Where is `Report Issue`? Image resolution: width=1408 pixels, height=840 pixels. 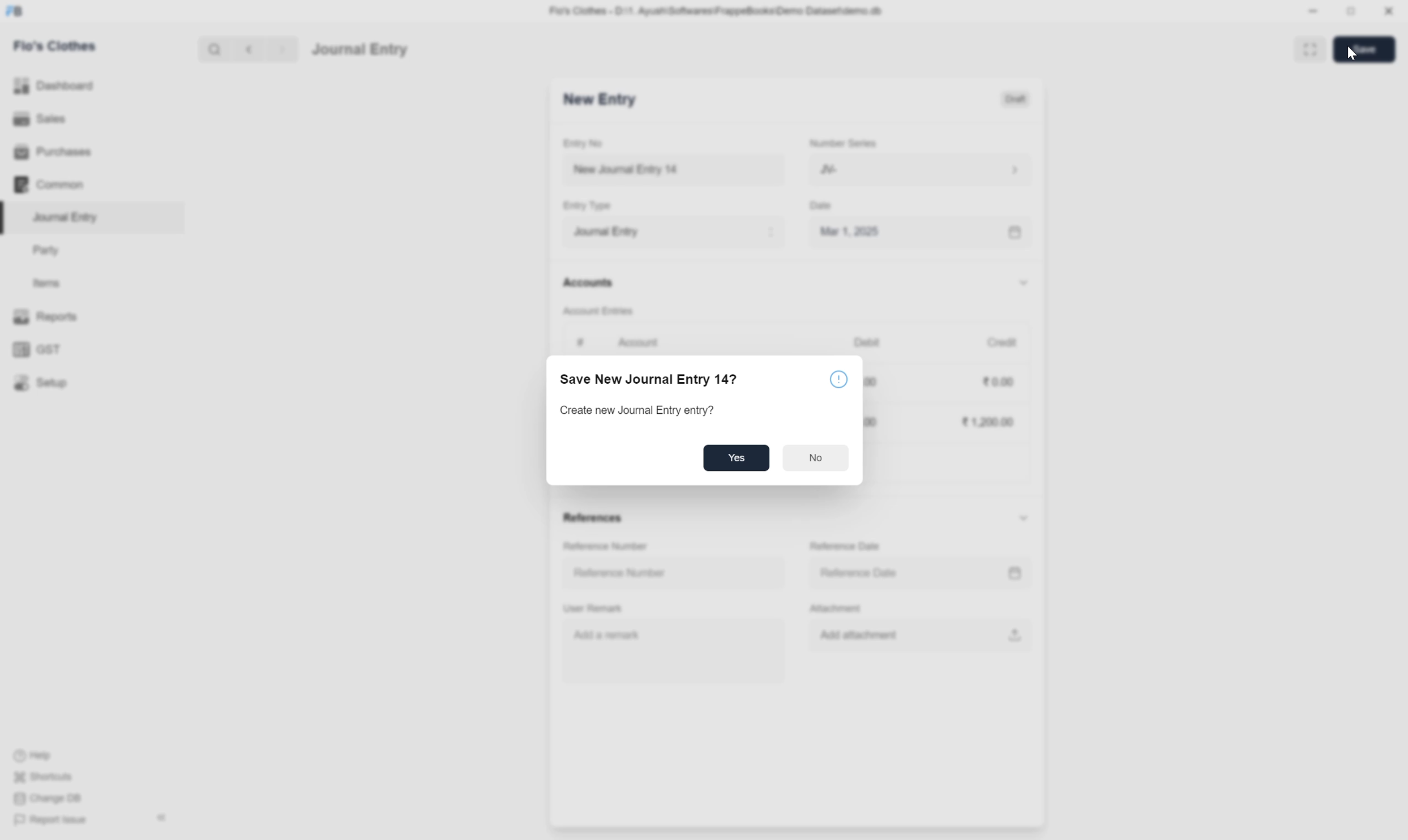
Report Issue is located at coordinates (55, 821).